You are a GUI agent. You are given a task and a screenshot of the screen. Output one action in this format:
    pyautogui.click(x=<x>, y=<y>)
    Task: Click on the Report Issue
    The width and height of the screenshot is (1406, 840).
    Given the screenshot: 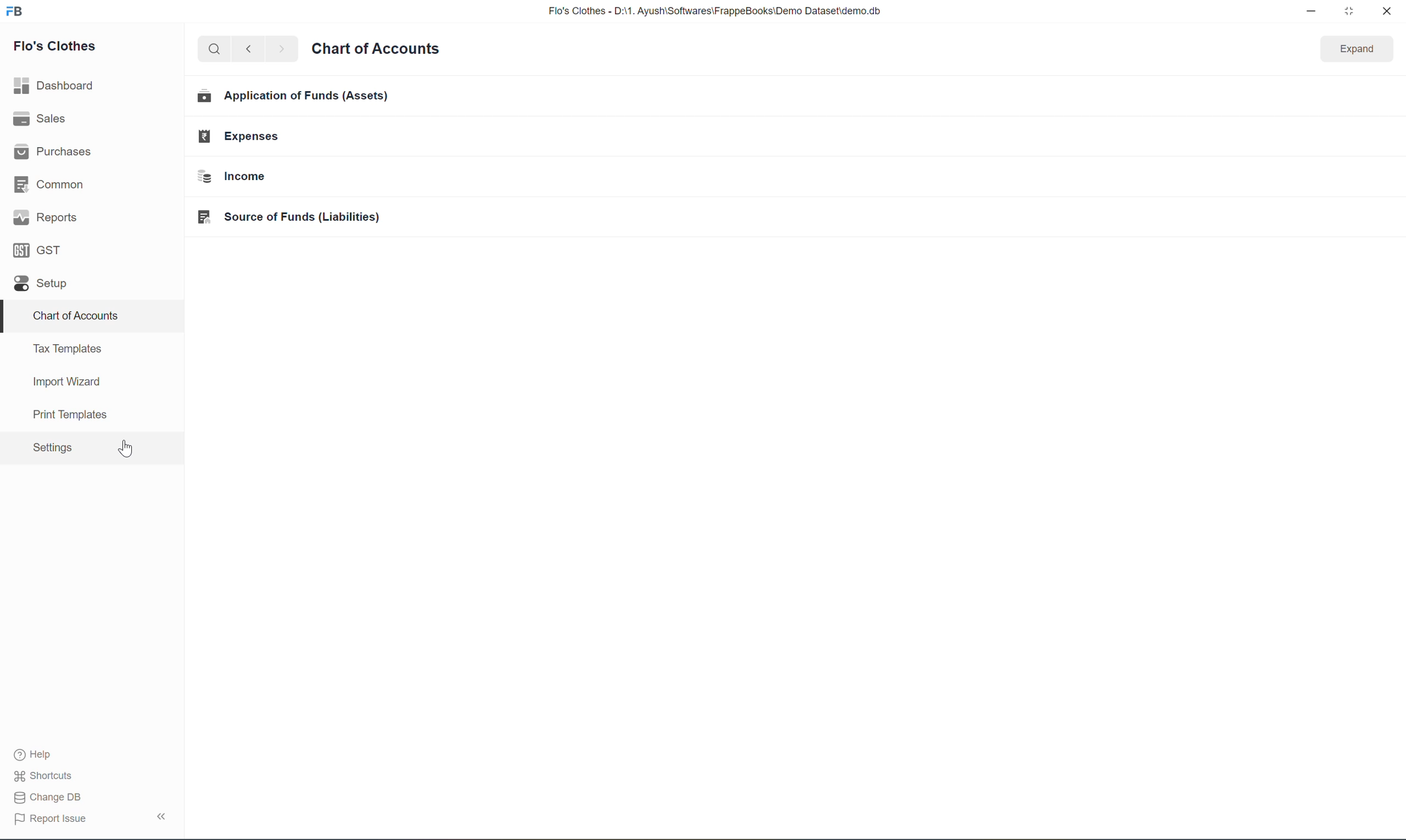 What is the action you would take?
    pyautogui.click(x=49, y=818)
    